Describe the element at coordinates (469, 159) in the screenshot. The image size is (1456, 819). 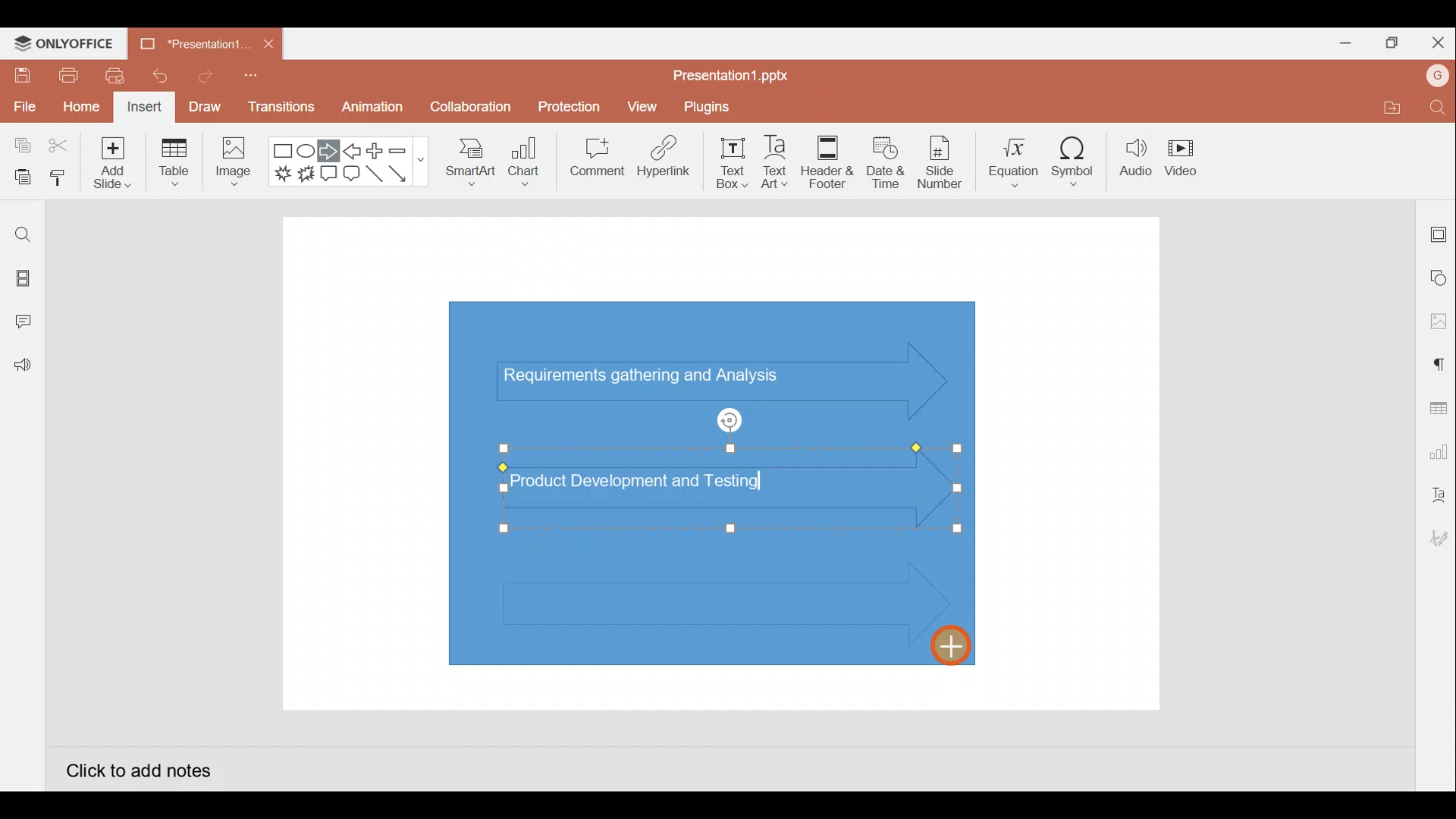
I see `SmartArt` at that location.